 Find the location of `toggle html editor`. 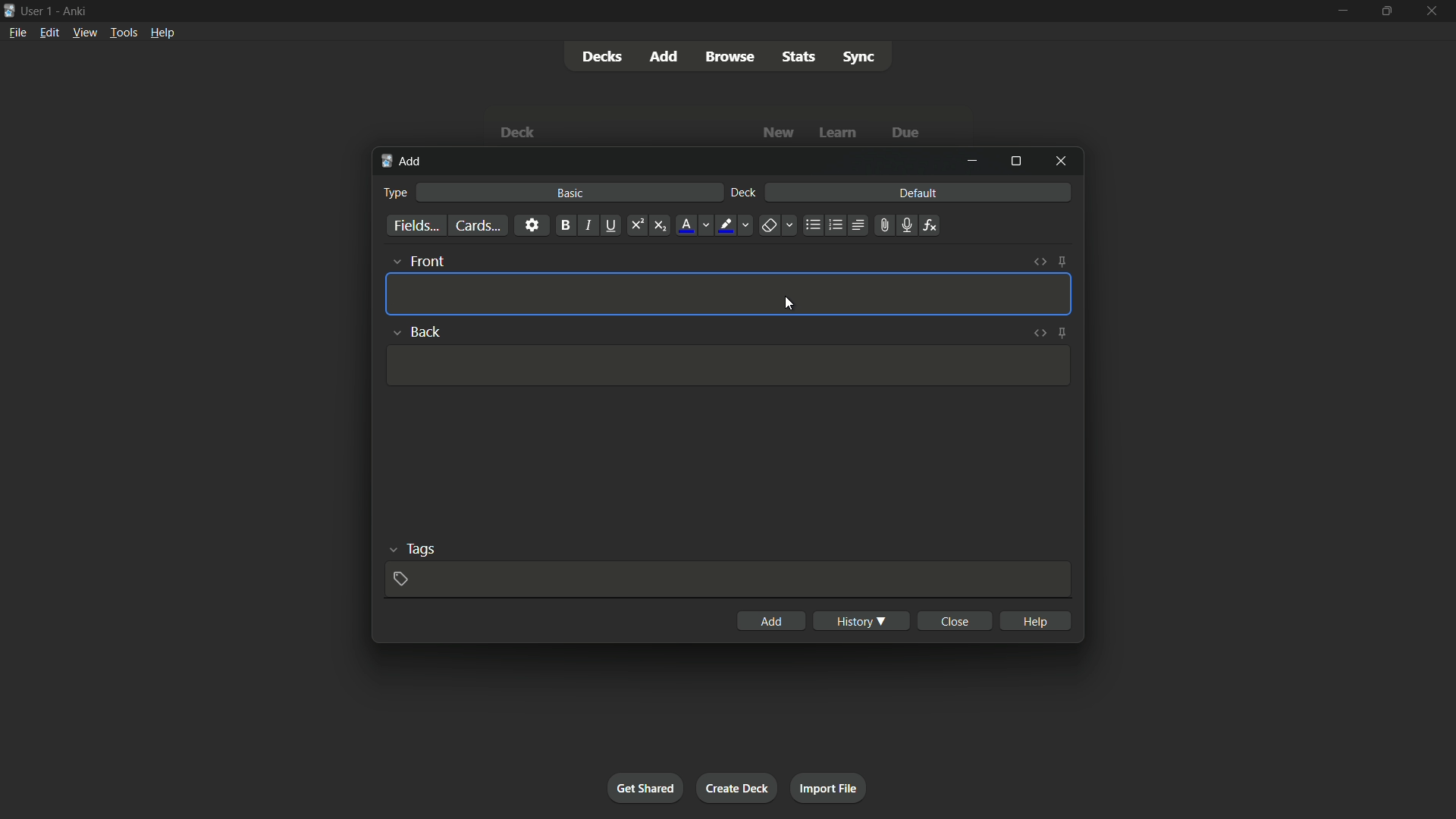

toggle html editor is located at coordinates (1040, 331).